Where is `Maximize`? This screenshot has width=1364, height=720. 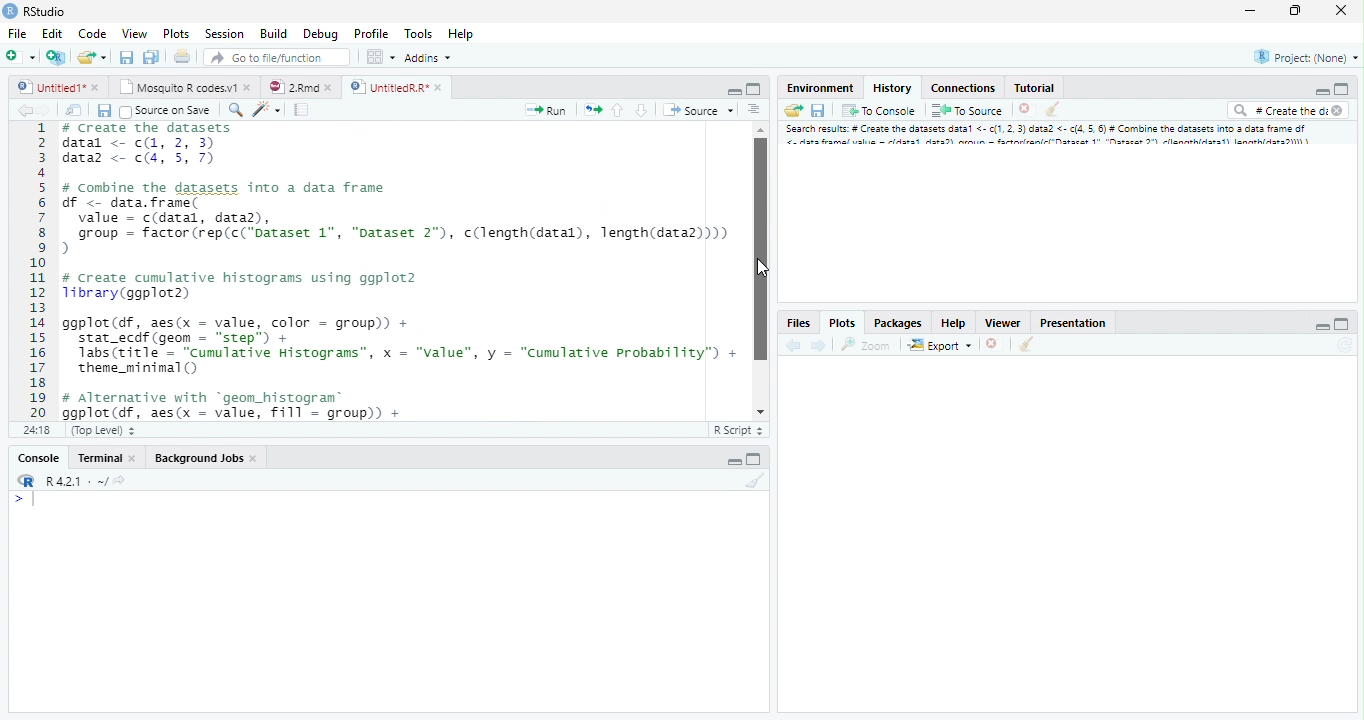 Maximize is located at coordinates (754, 88).